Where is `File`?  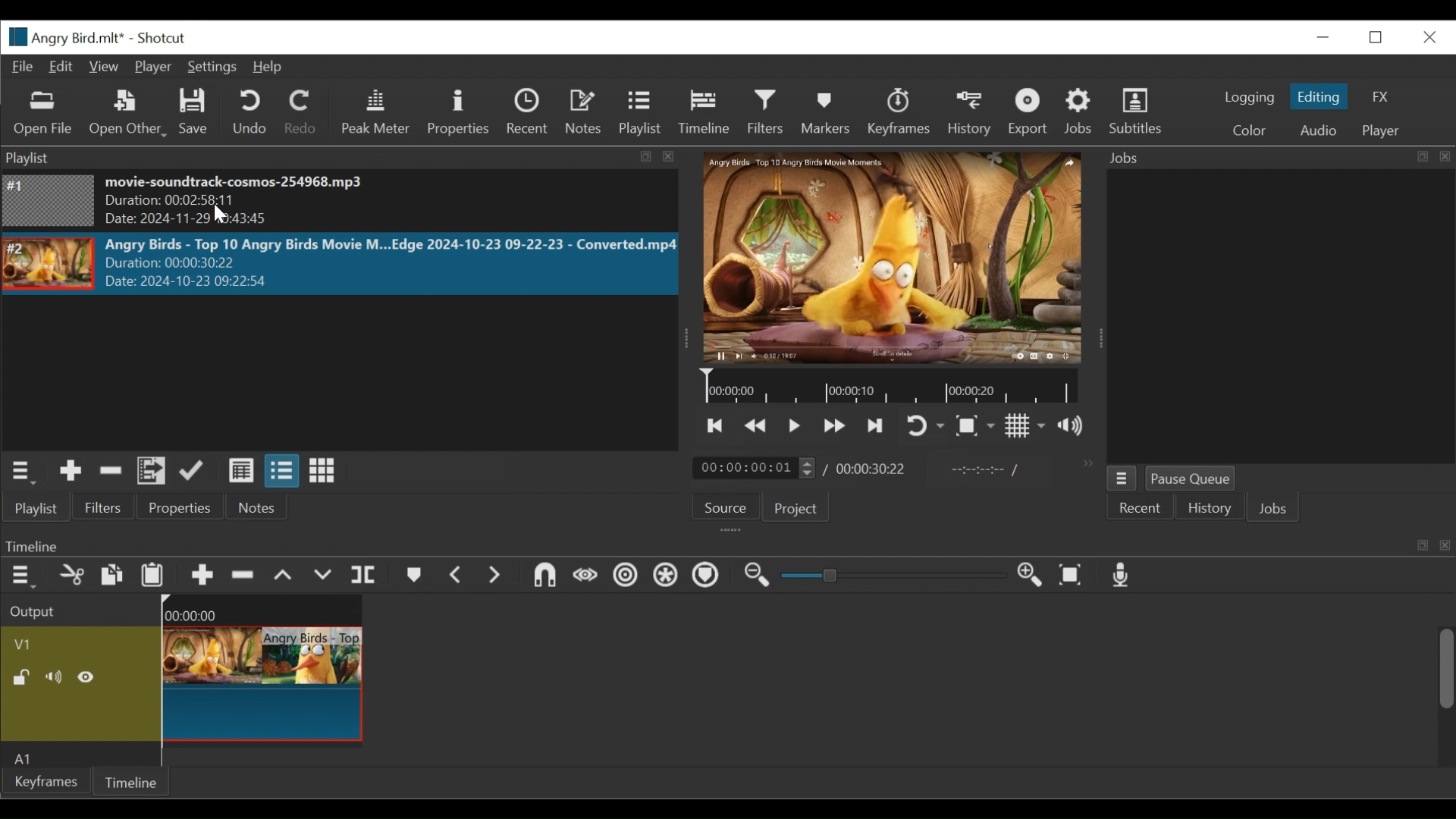
File is located at coordinates (24, 66).